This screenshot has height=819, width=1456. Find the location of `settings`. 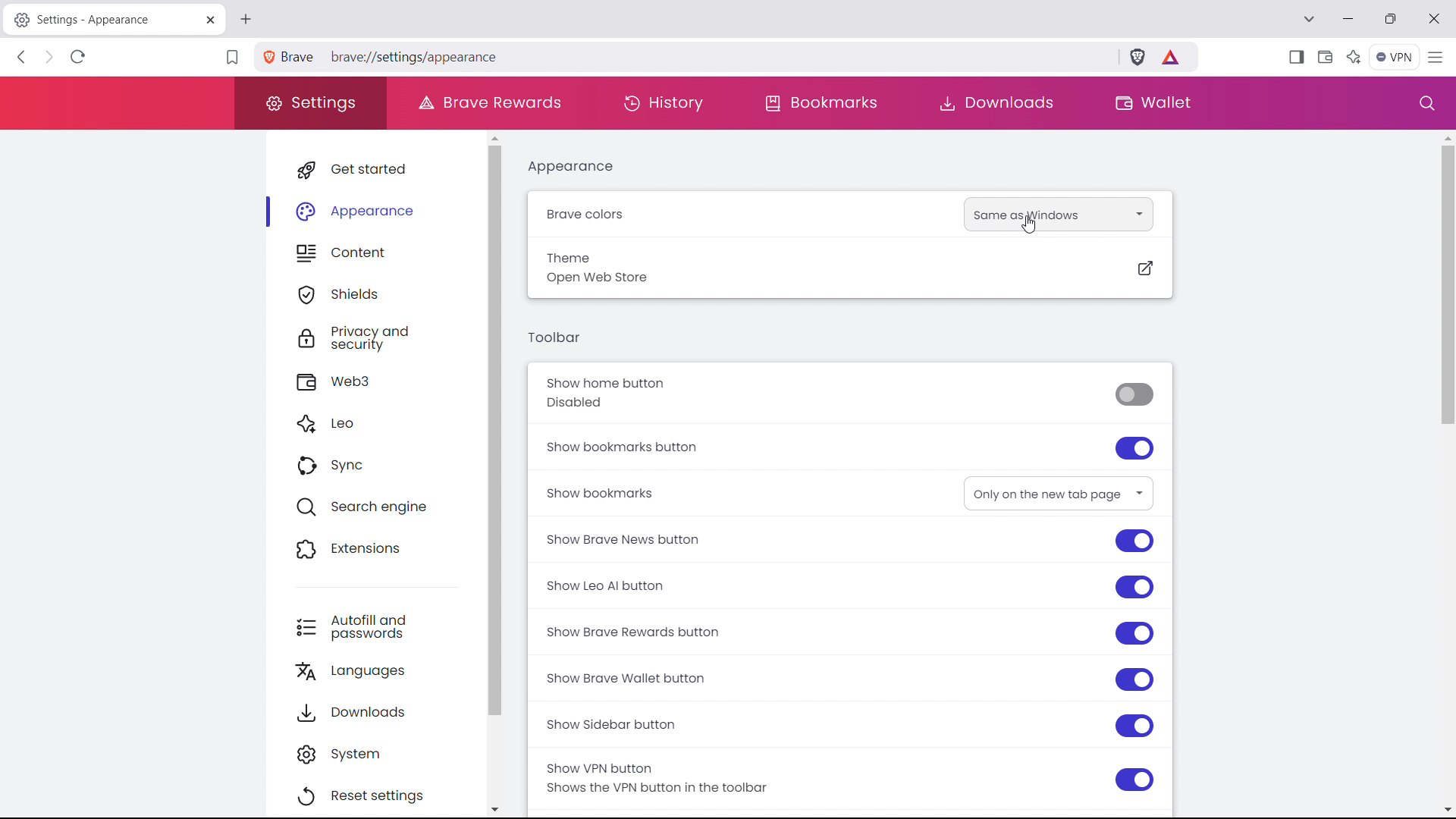

settings is located at coordinates (311, 103).